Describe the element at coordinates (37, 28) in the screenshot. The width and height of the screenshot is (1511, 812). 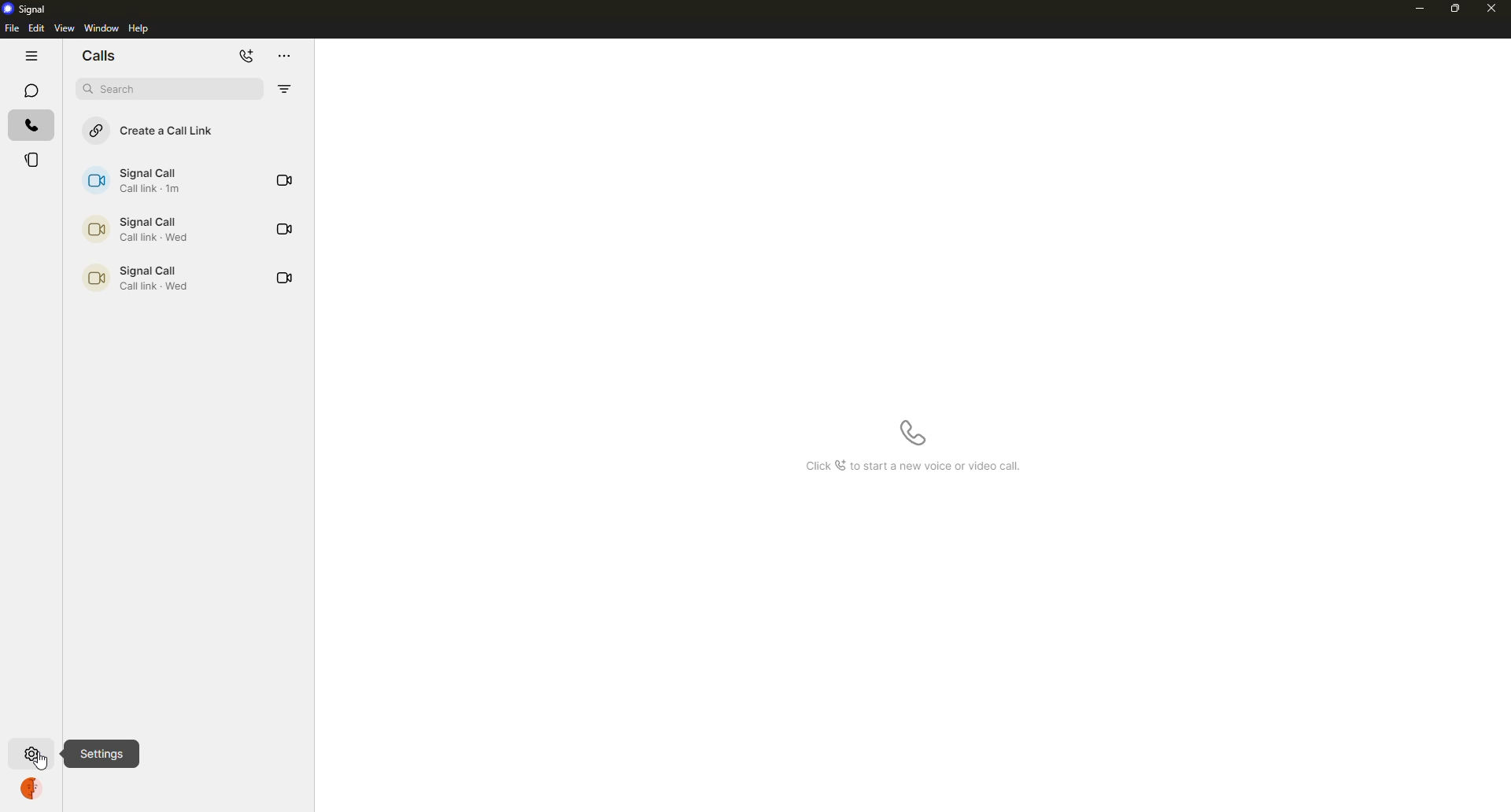
I see `edit` at that location.